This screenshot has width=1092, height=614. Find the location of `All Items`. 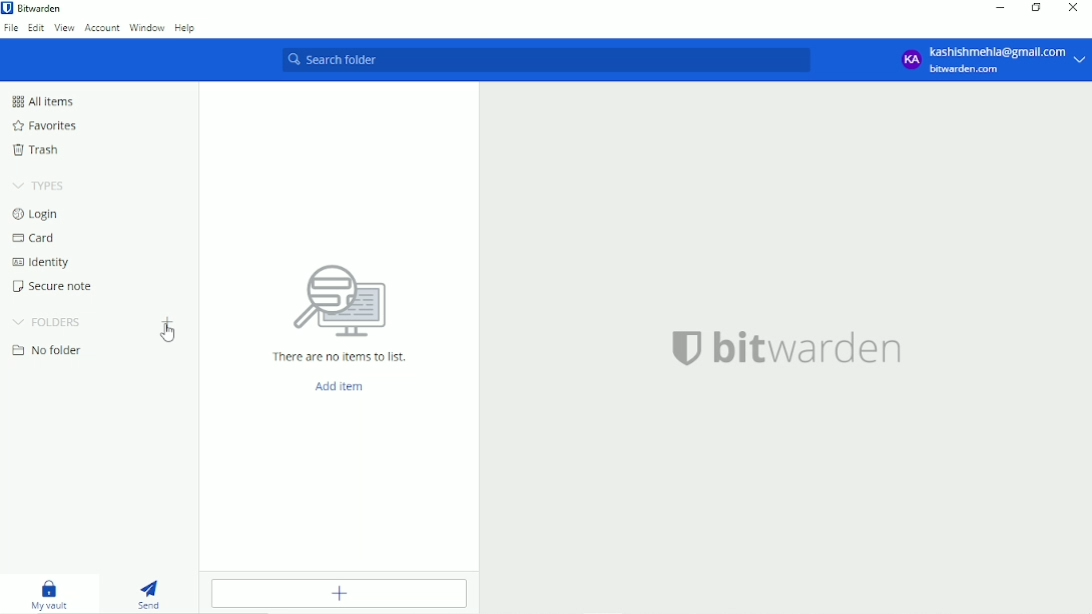

All Items is located at coordinates (44, 101).